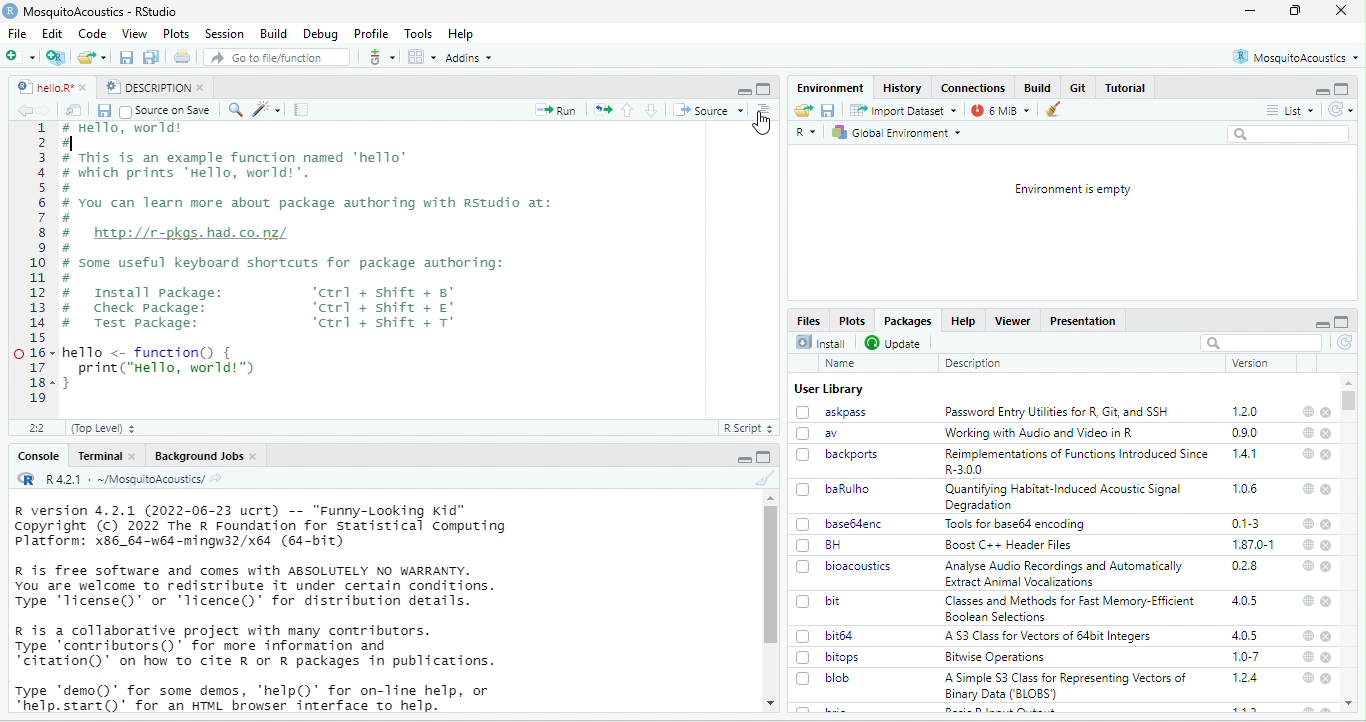 This screenshot has height=722, width=1366. I want to click on Git, so click(1079, 88).